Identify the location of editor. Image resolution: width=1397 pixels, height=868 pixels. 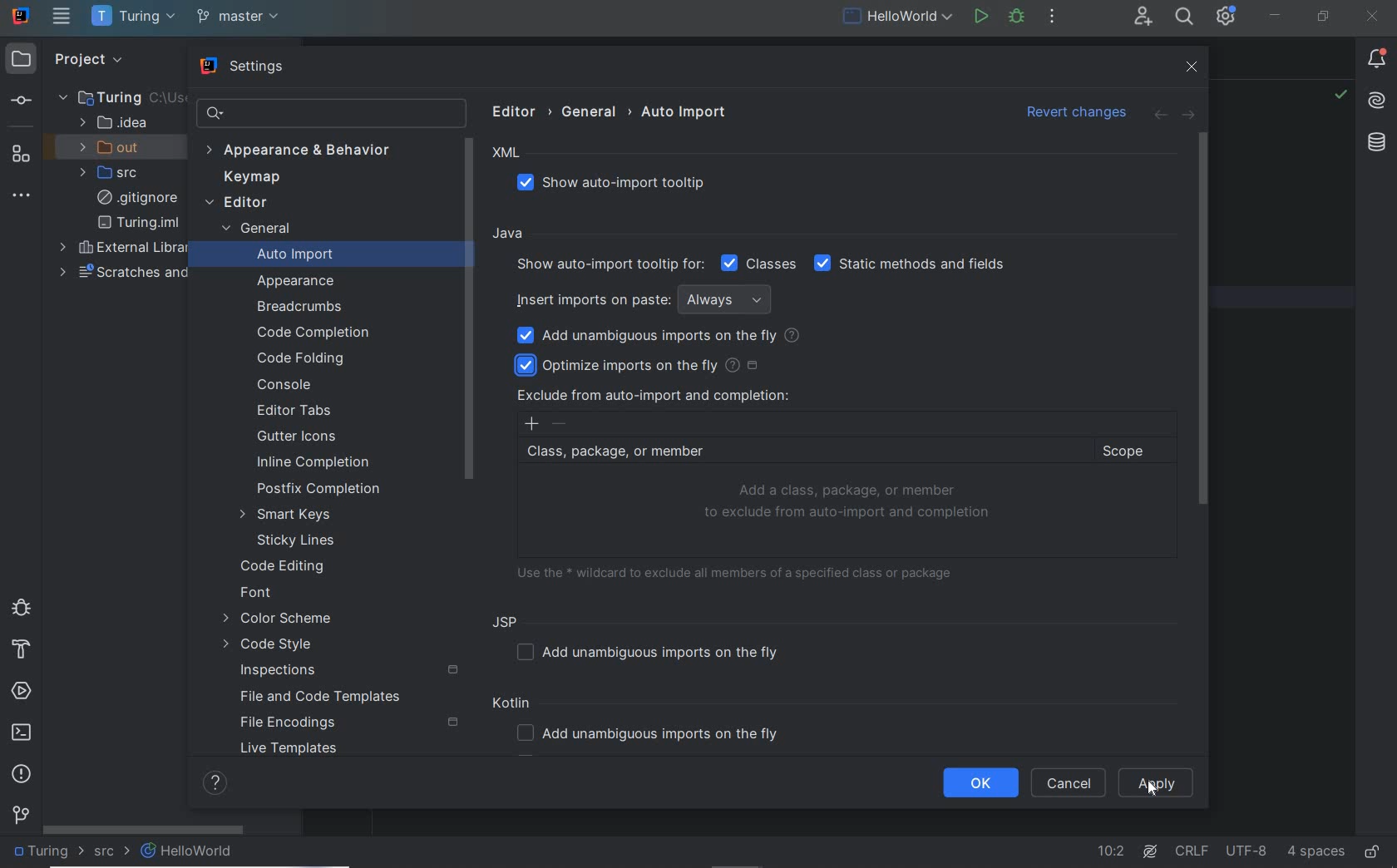
(518, 111).